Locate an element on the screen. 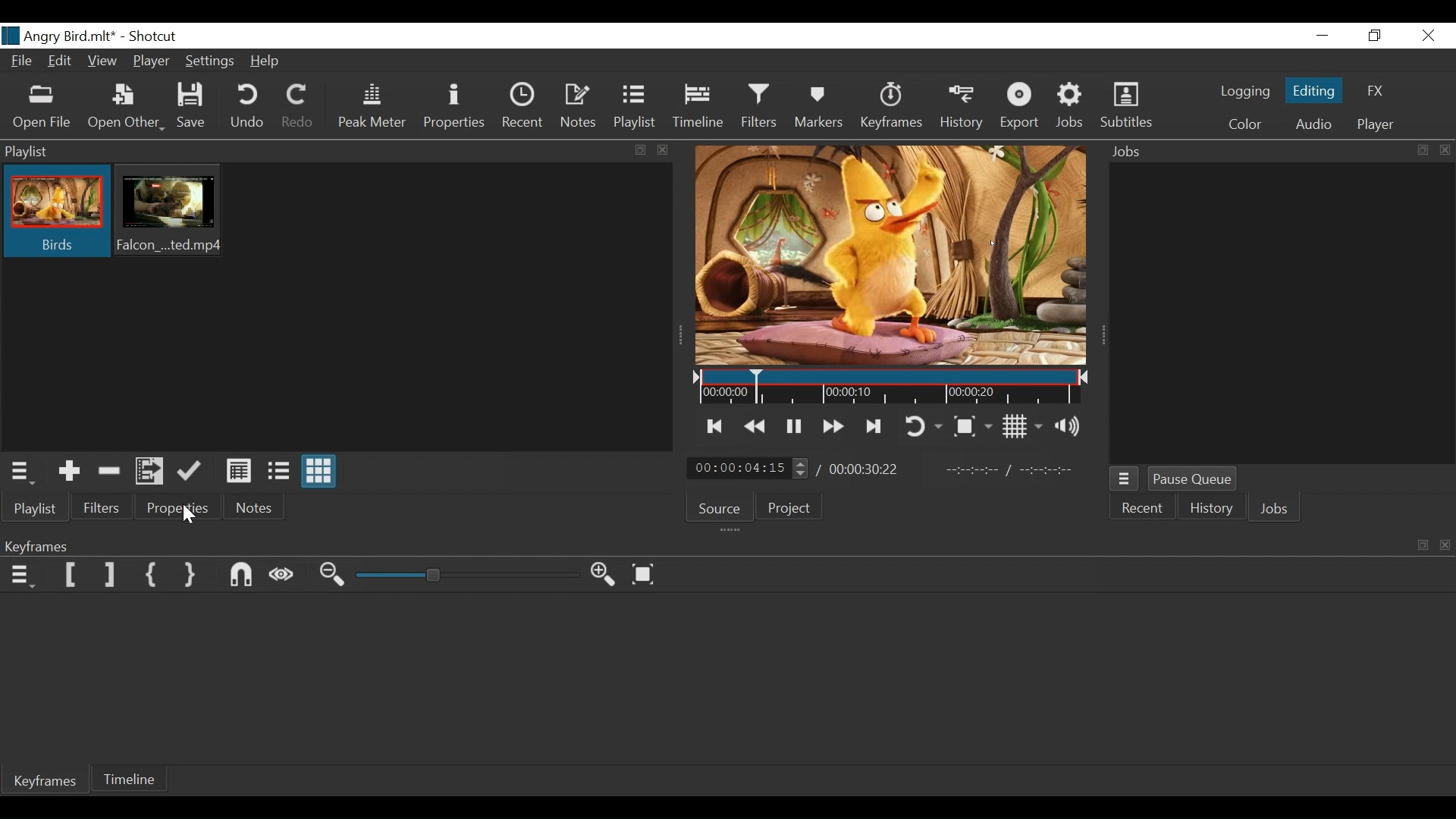 The height and width of the screenshot is (819, 1456). Timeline is located at coordinates (131, 781).